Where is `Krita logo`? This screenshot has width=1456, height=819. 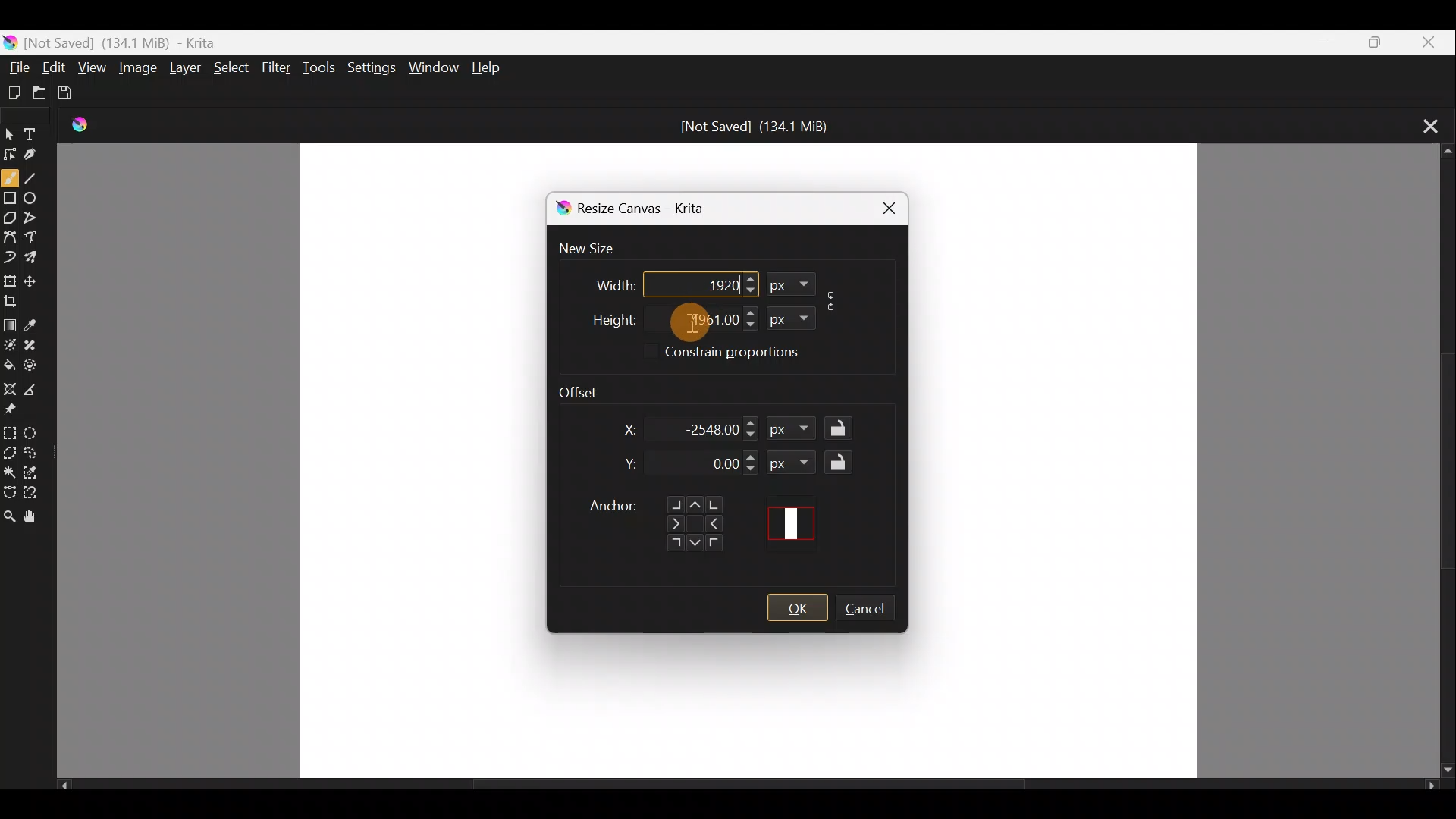
Krita logo is located at coordinates (560, 209).